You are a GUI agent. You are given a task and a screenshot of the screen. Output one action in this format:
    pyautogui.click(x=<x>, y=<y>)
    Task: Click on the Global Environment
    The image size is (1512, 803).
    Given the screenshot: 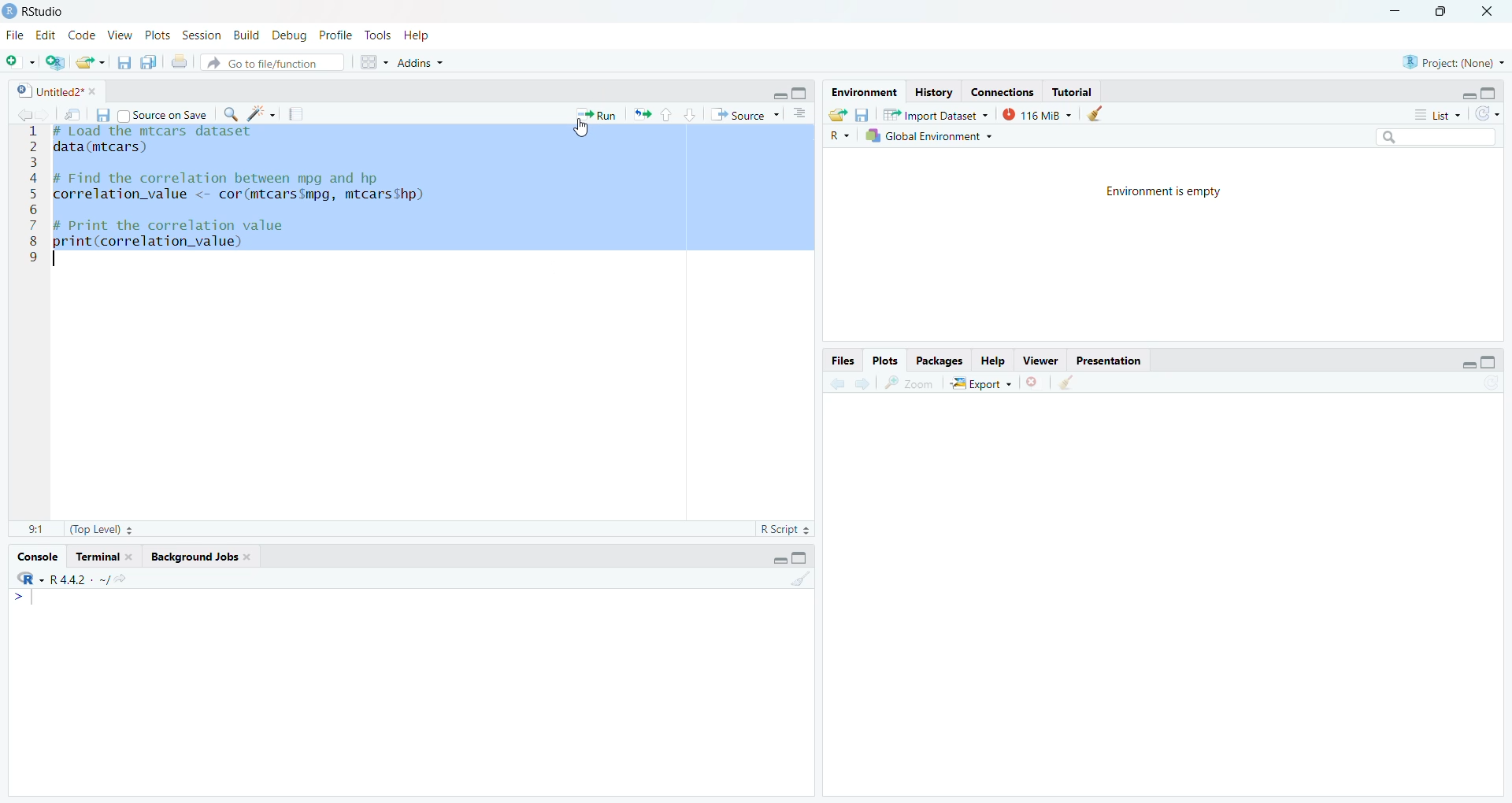 What is the action you would take?
    pyautogui.click(x=928, y=139)
    